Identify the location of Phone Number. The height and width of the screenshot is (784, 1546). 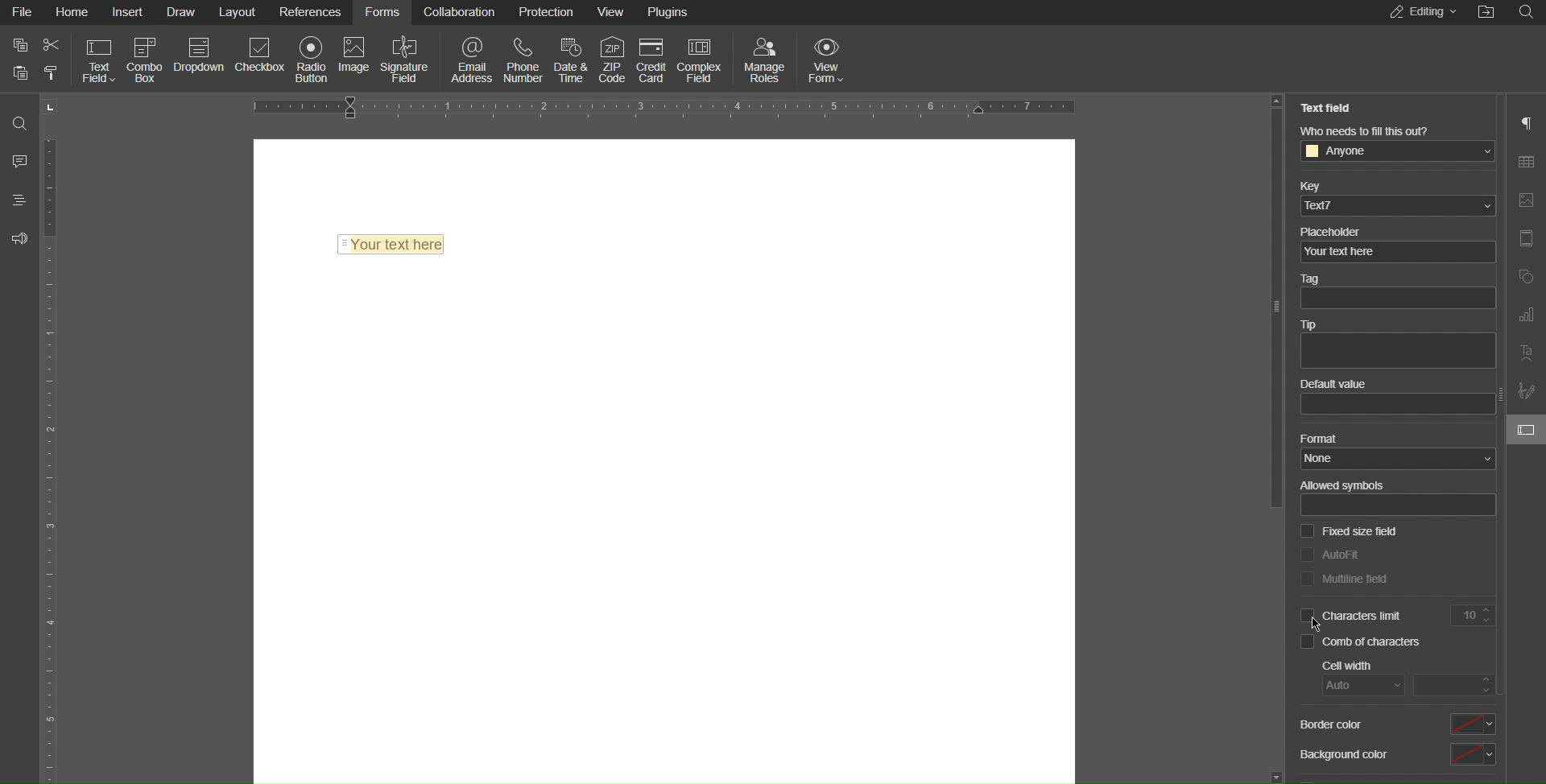
(525, 59).